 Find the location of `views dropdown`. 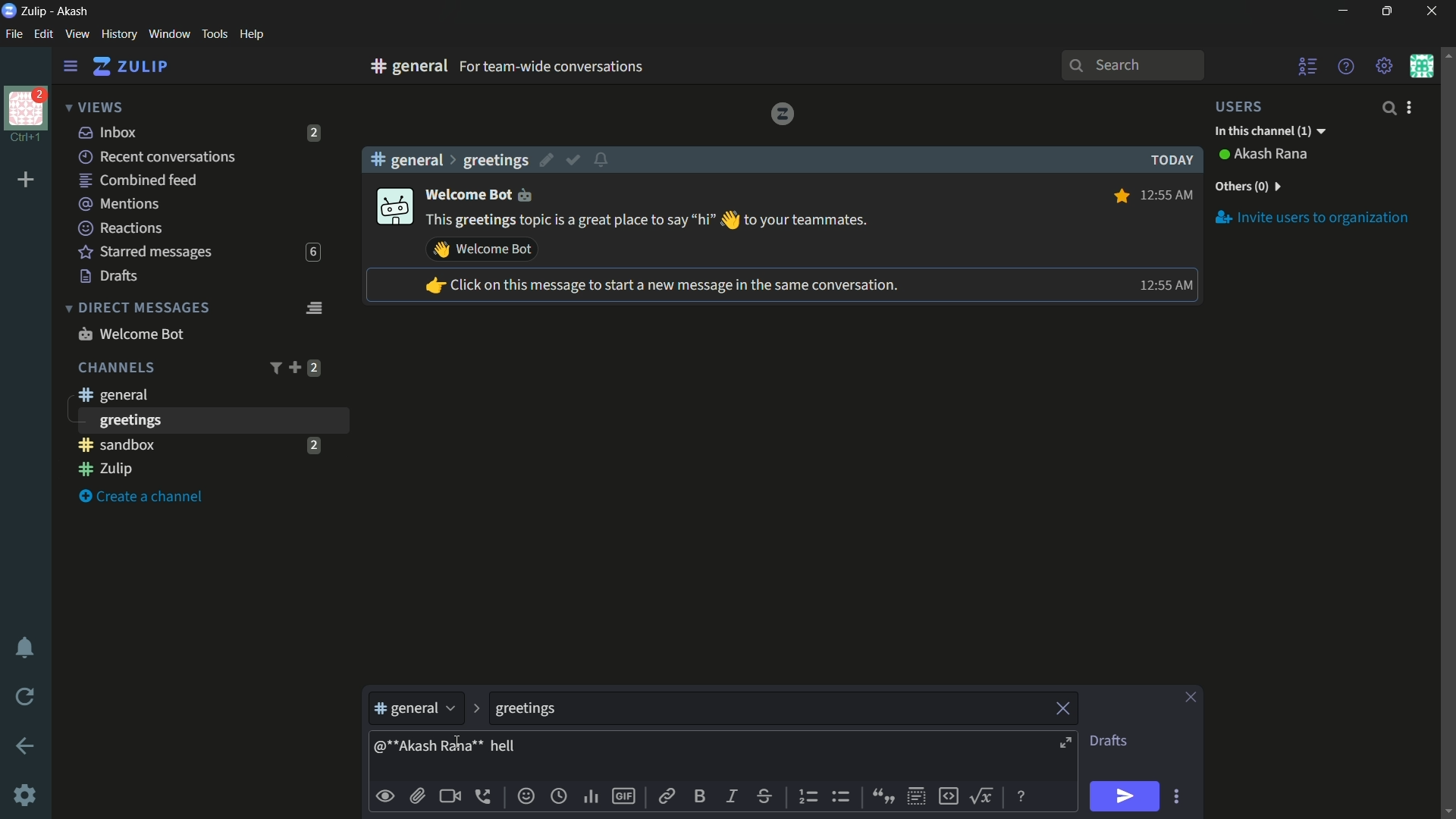

views dropdown is located at coordinates (94, 108).